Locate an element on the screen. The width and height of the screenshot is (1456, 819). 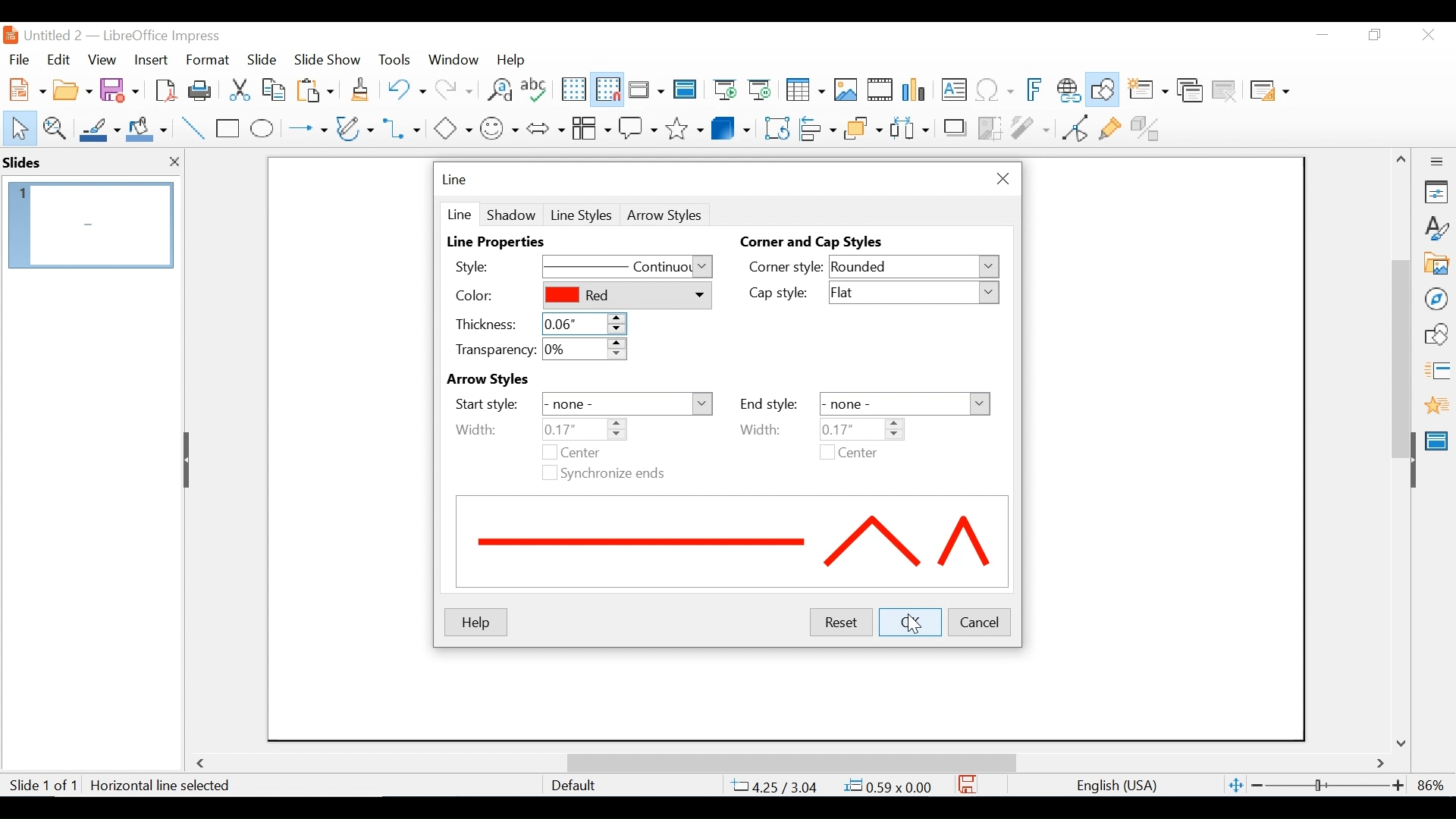
OK is located at coordinates (912, 622).